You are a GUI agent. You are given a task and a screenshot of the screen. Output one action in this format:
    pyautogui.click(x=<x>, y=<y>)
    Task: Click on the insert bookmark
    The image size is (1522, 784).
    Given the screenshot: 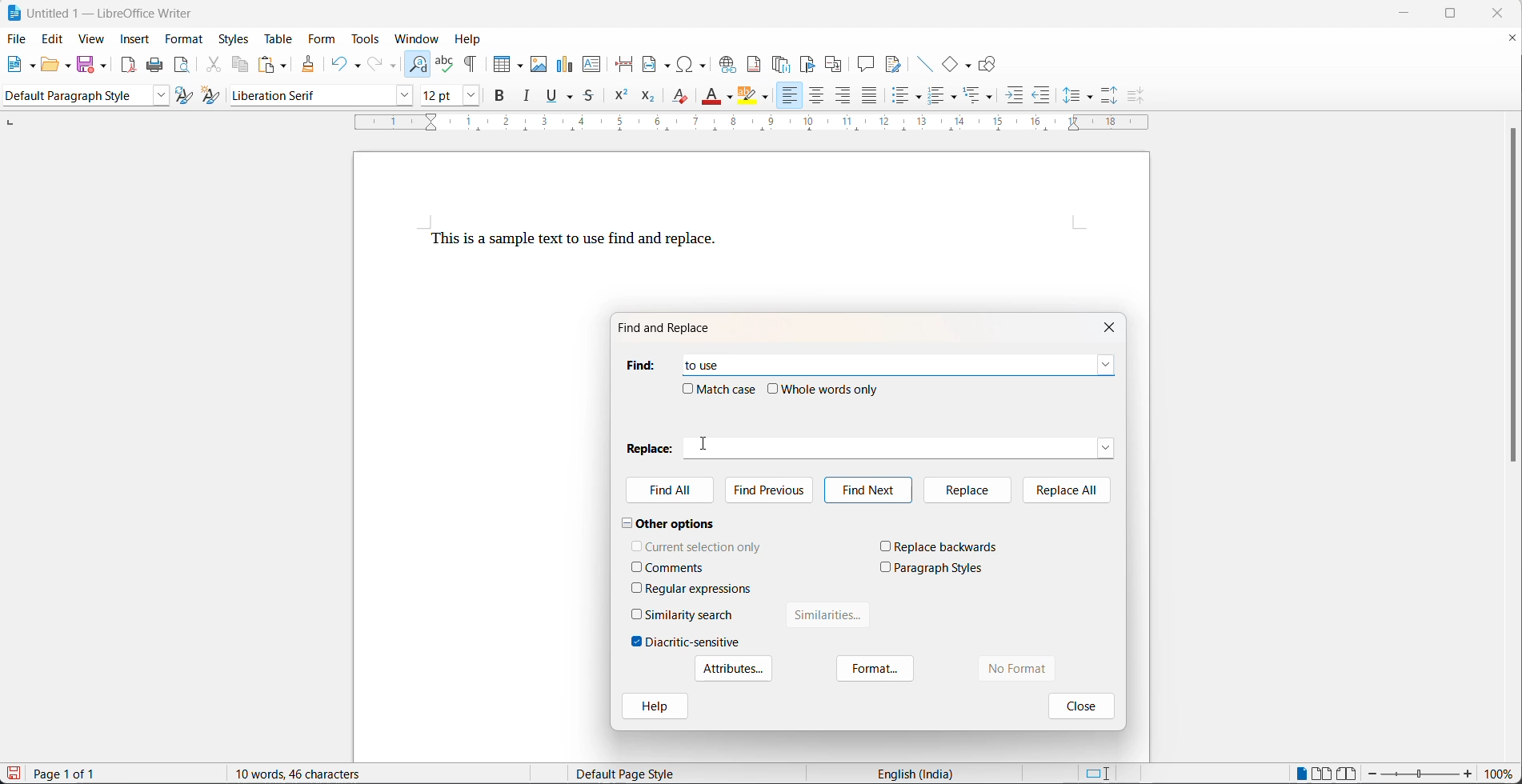 What is the action you would take?
    pyautogui.click(x=811, y=64)
    